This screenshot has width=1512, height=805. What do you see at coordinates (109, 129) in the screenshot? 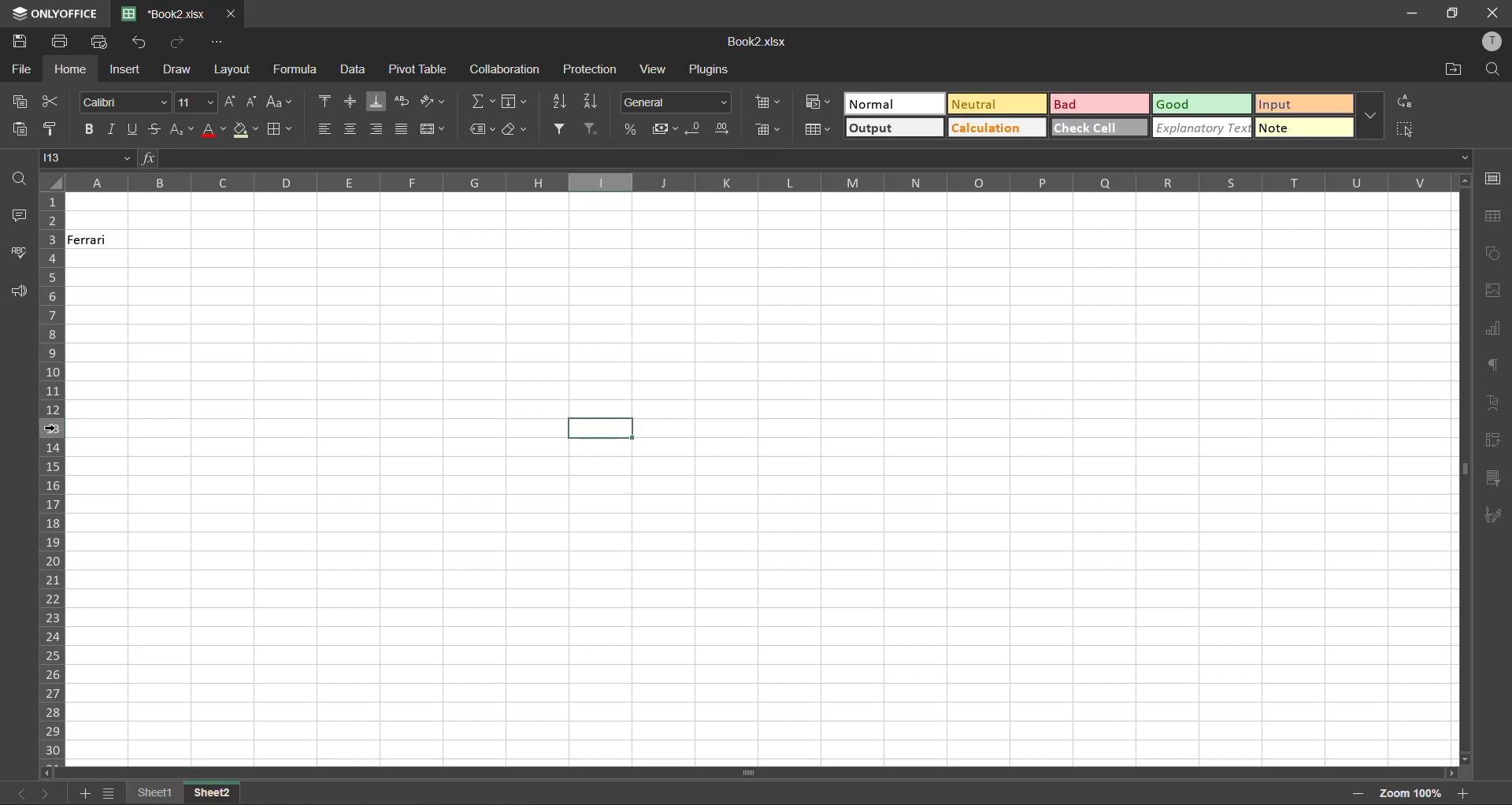
I see `italic` at bounding box center [109, 129].